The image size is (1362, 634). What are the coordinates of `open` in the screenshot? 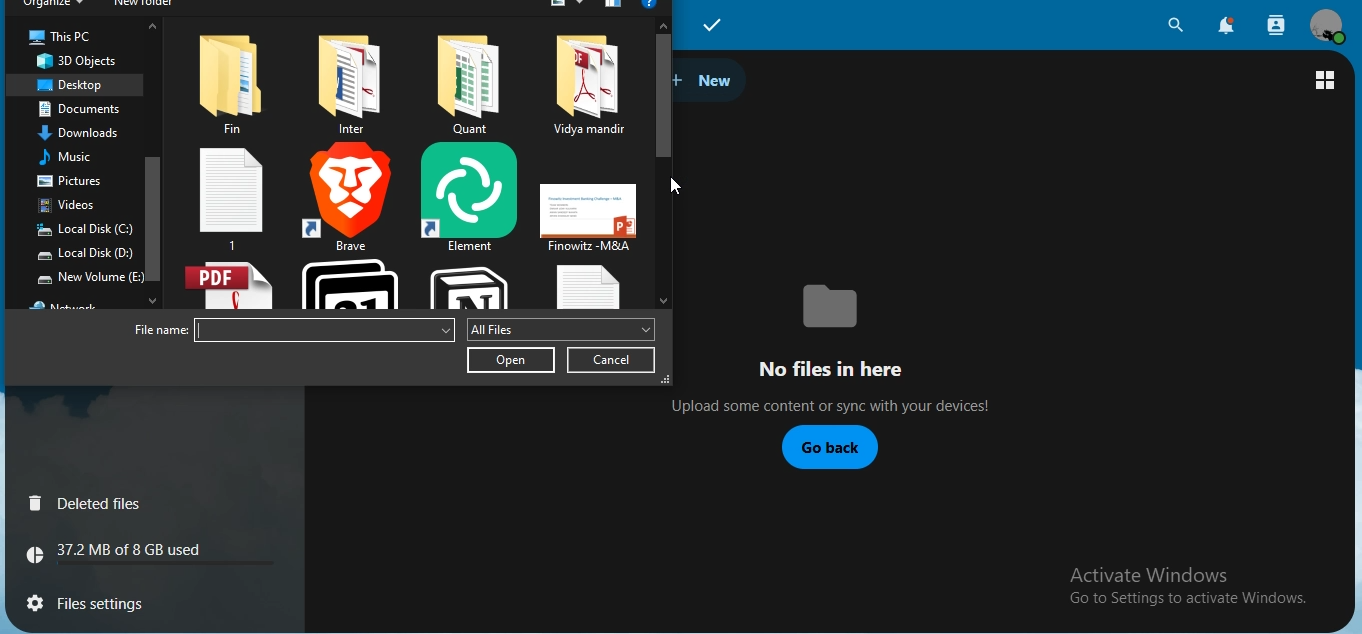 It's located at (511, 360).